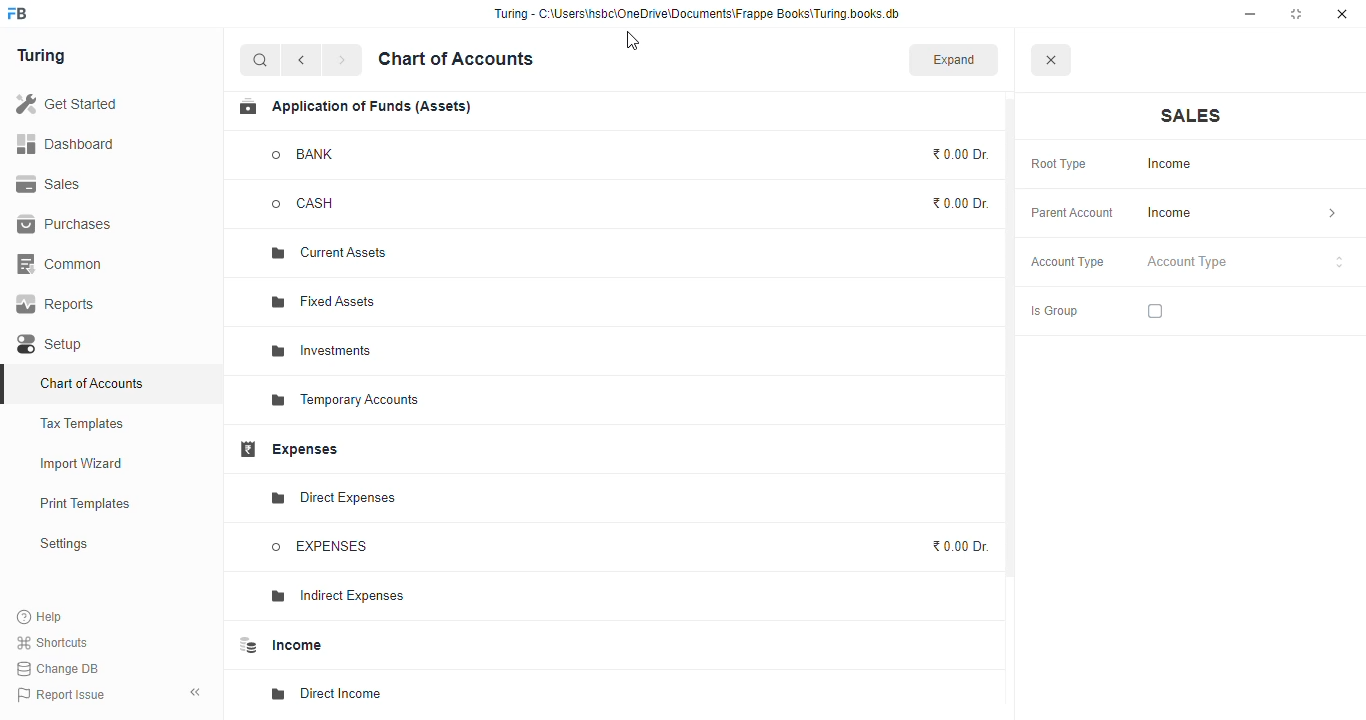 The height and width of the screenshot is (720, 1366). Describe the element at coordinates (696, 13) in the screenshot. I see `“Turing - C:\Users\hsbc\OneDrive\Documents\Frappe Books\Turing books.db` at that location.